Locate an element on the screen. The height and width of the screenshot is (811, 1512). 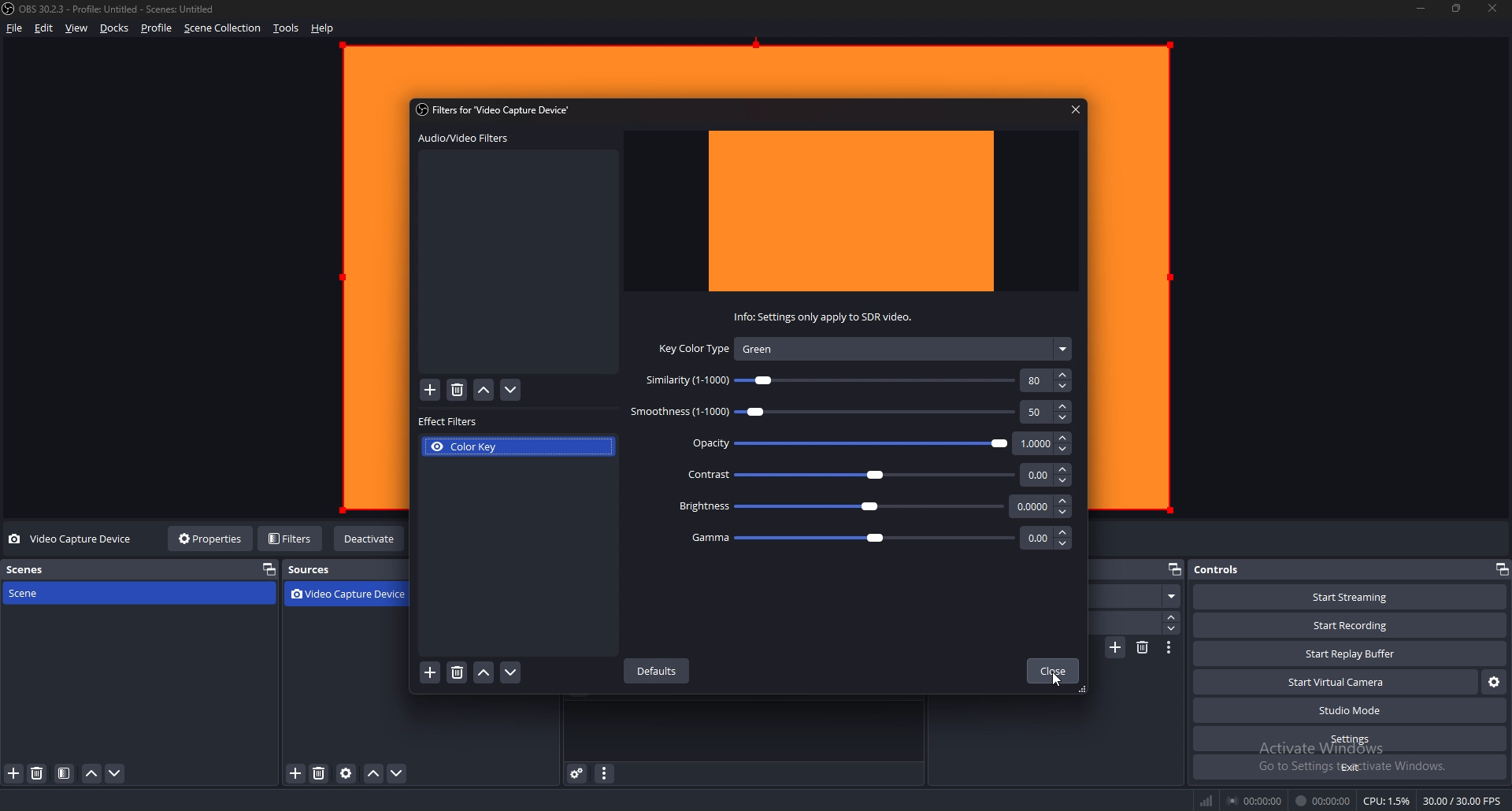
close is located at coordinates (1494, 9).